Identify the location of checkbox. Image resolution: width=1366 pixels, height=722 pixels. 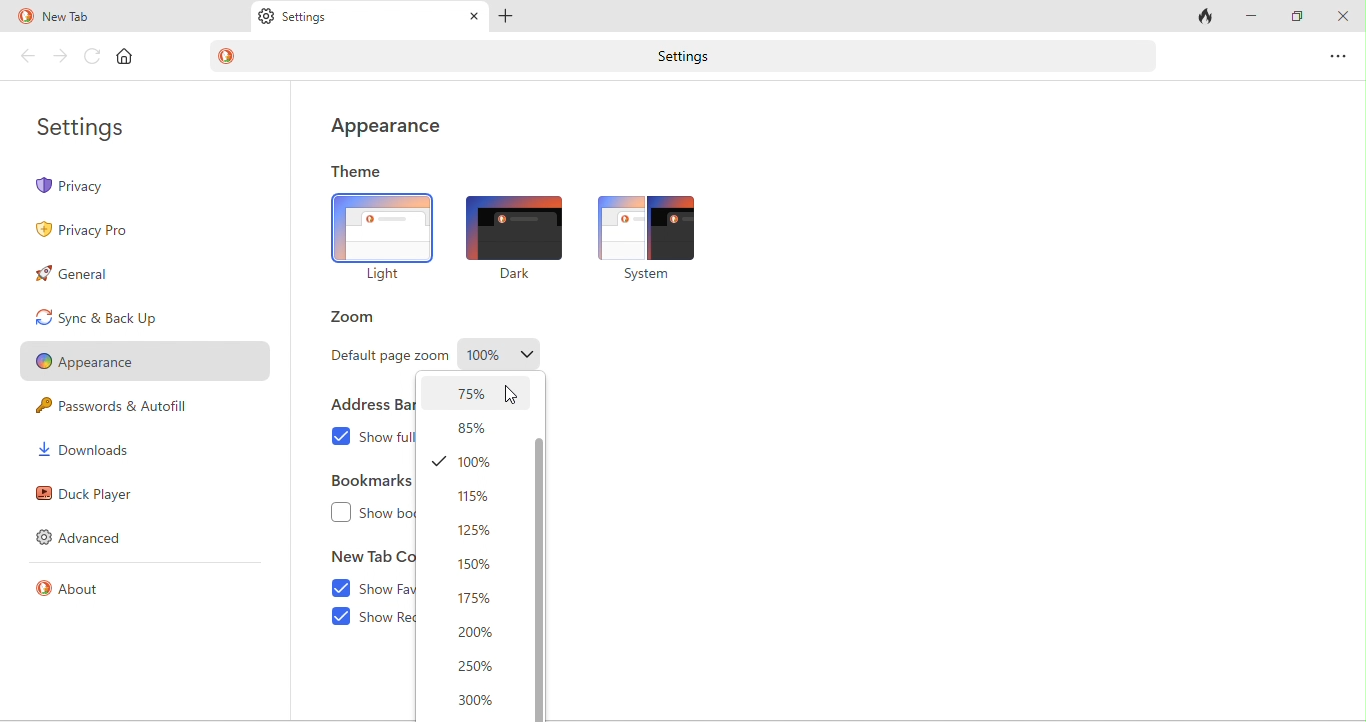
(343, 513).